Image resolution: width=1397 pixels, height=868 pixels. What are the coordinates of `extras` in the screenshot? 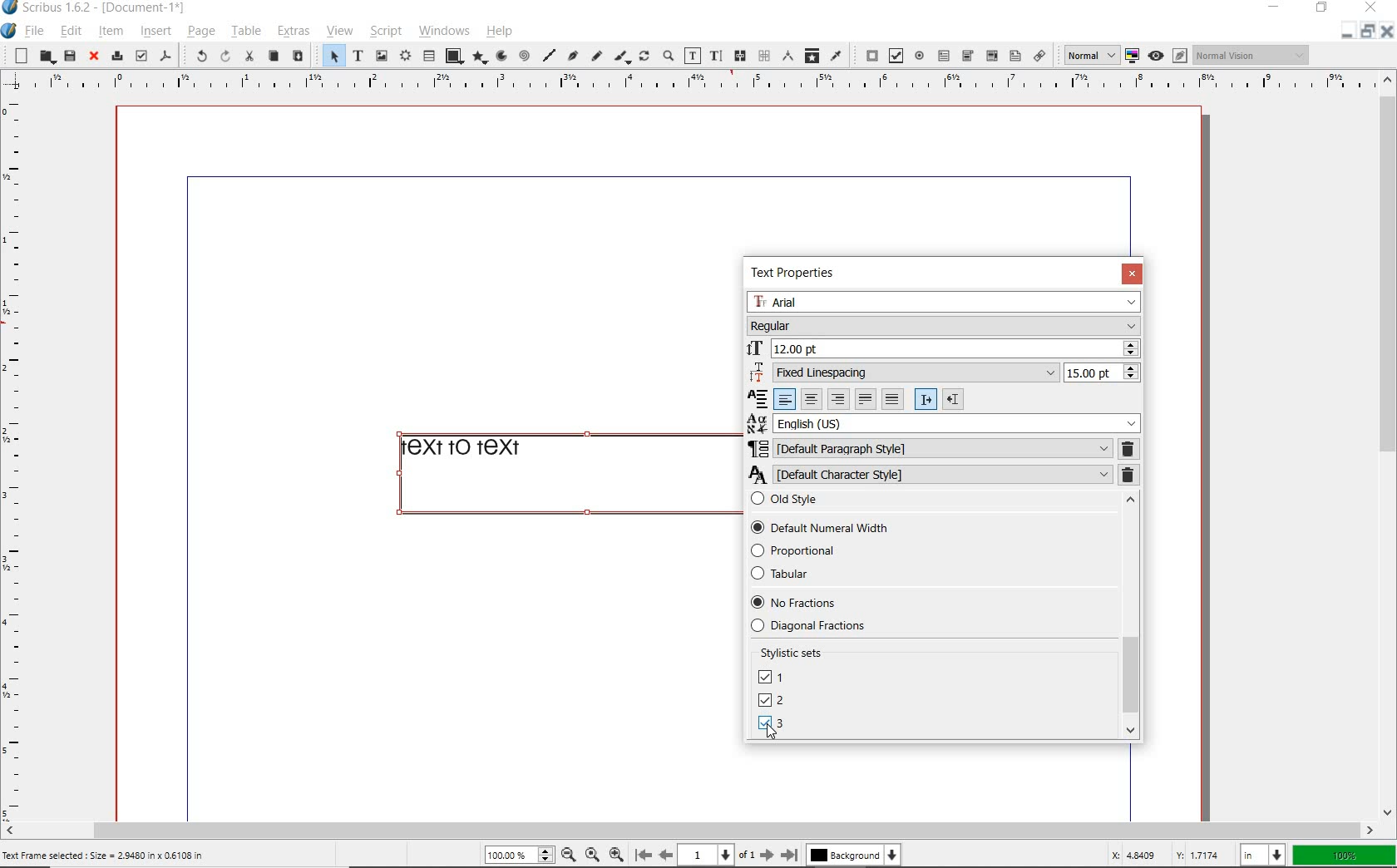 It's located at (293, 33).